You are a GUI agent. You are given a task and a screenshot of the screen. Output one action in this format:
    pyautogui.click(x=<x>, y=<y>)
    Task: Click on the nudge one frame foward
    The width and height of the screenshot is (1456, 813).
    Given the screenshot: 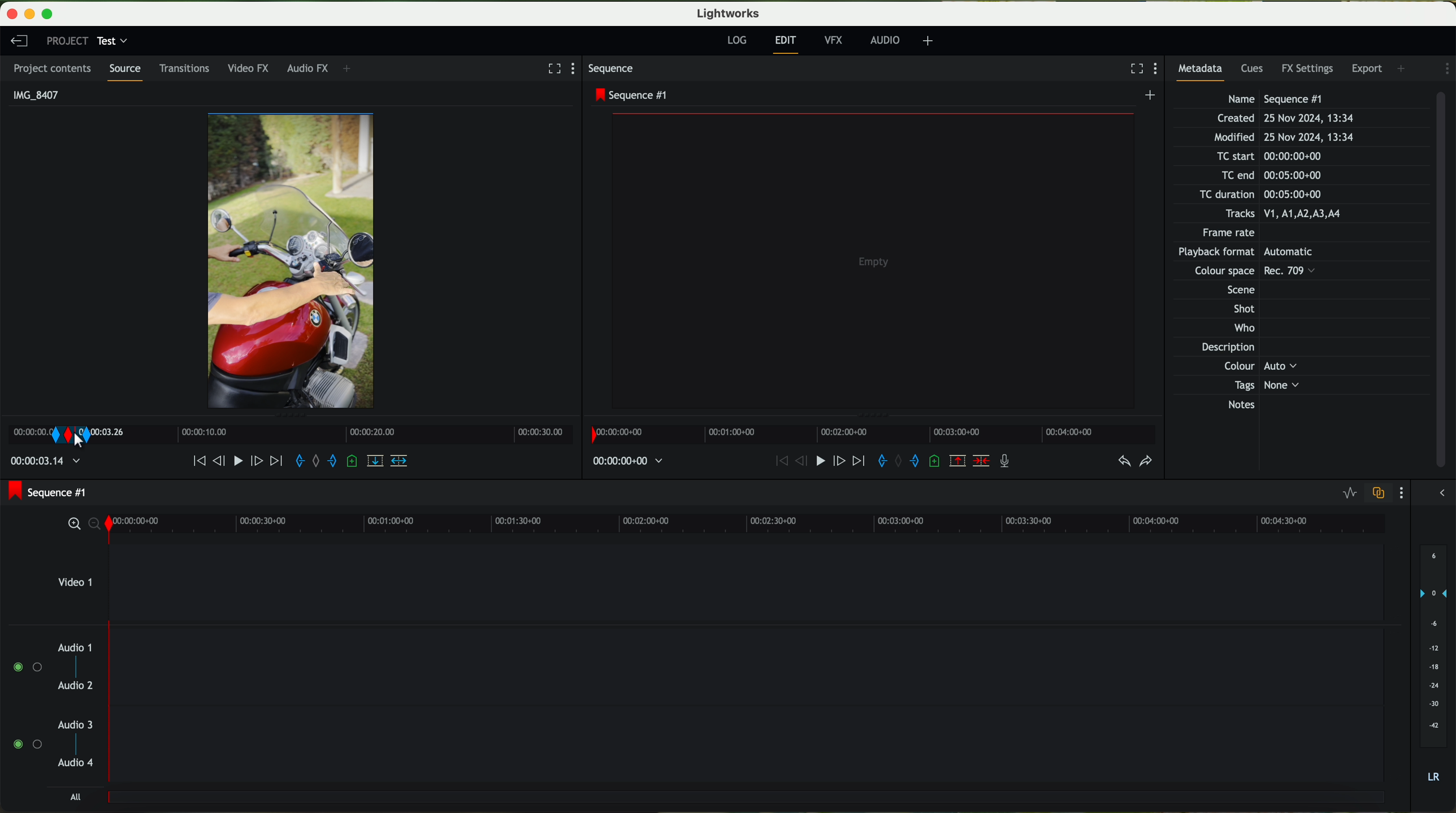 What is the action you would take?
    pyautogui.click(x=836, y=461)
    